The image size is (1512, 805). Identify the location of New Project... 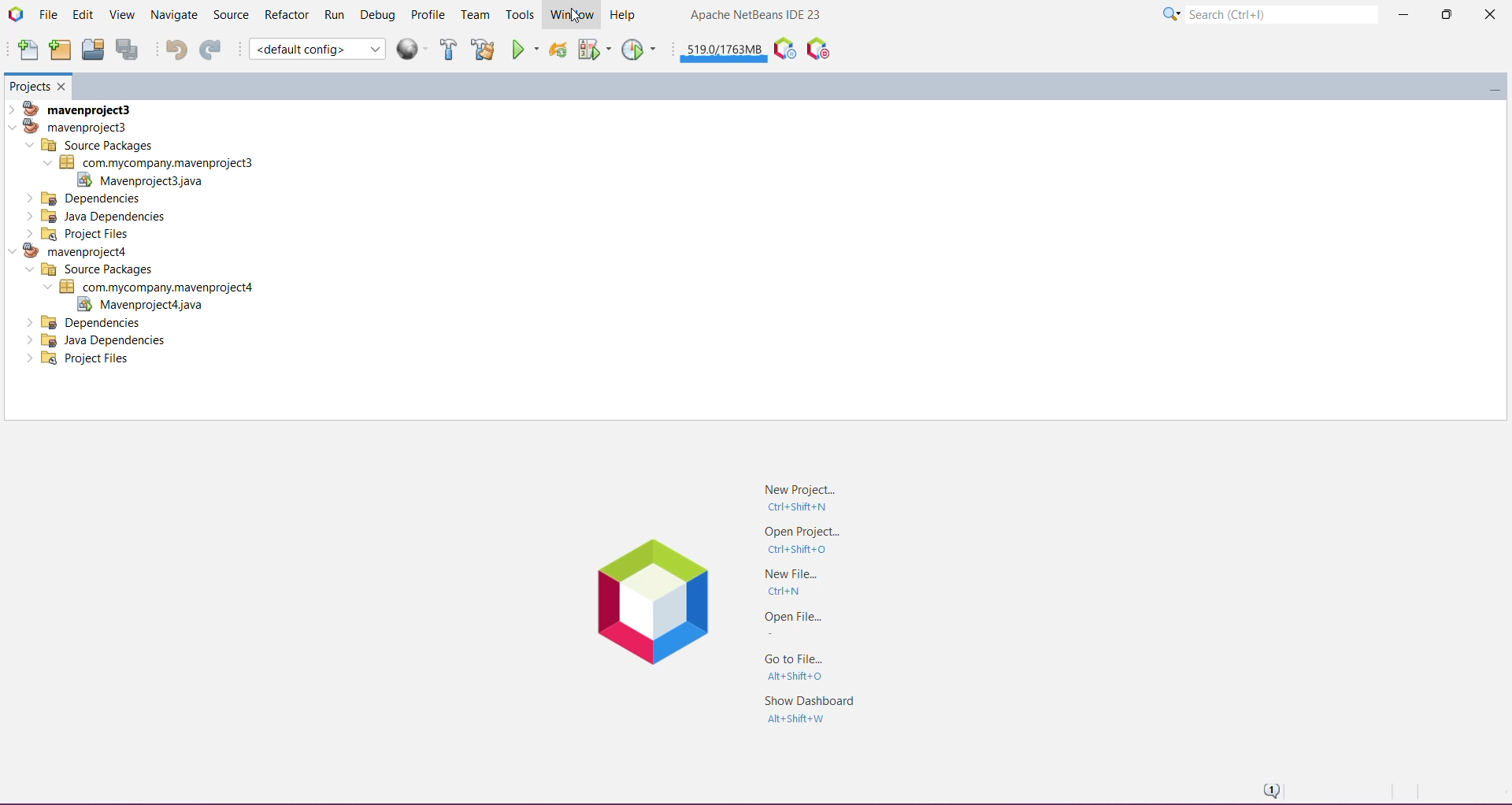
(806, 496).